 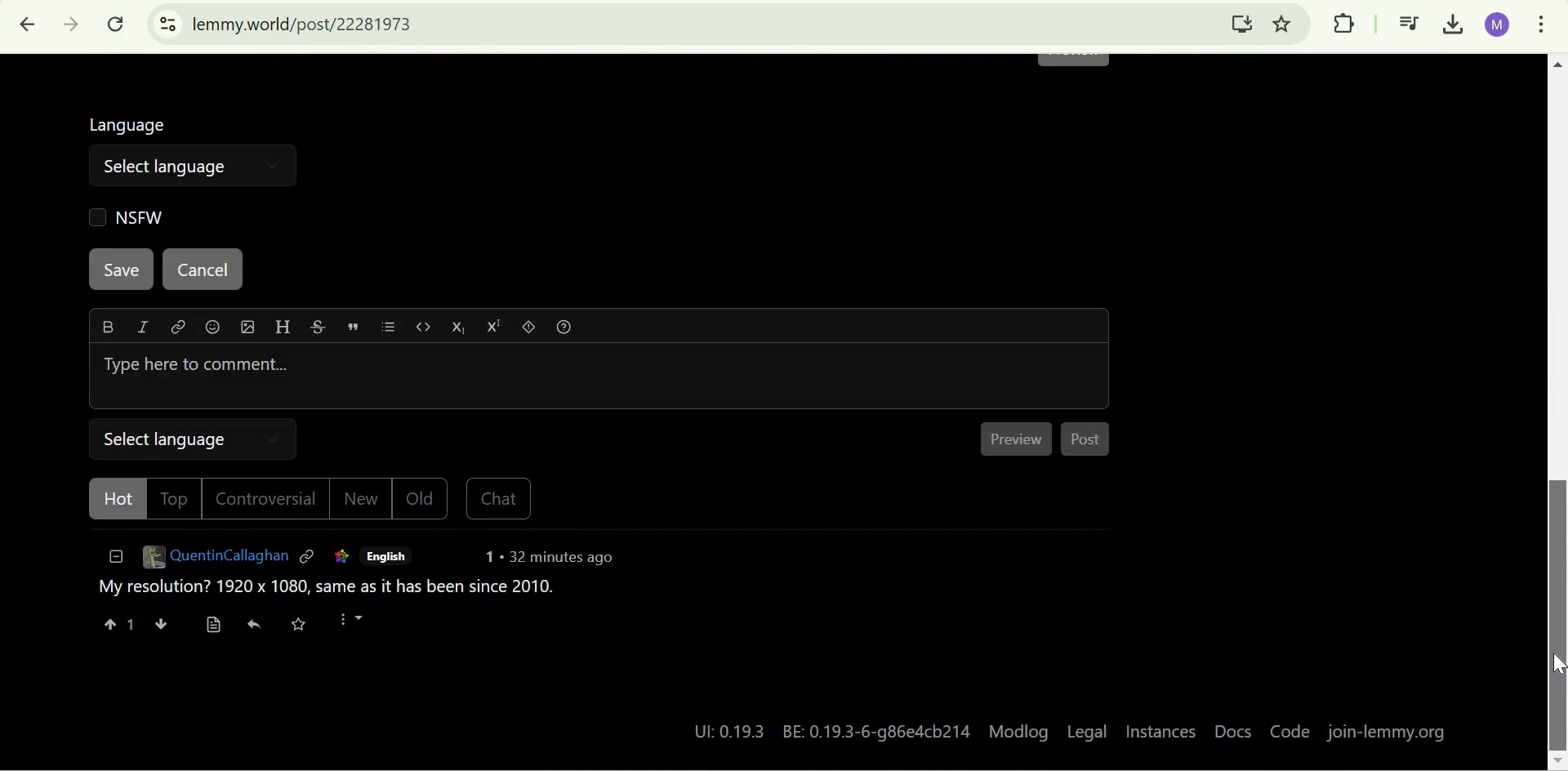 I want to click on upload image, so click(x=246, y=328).